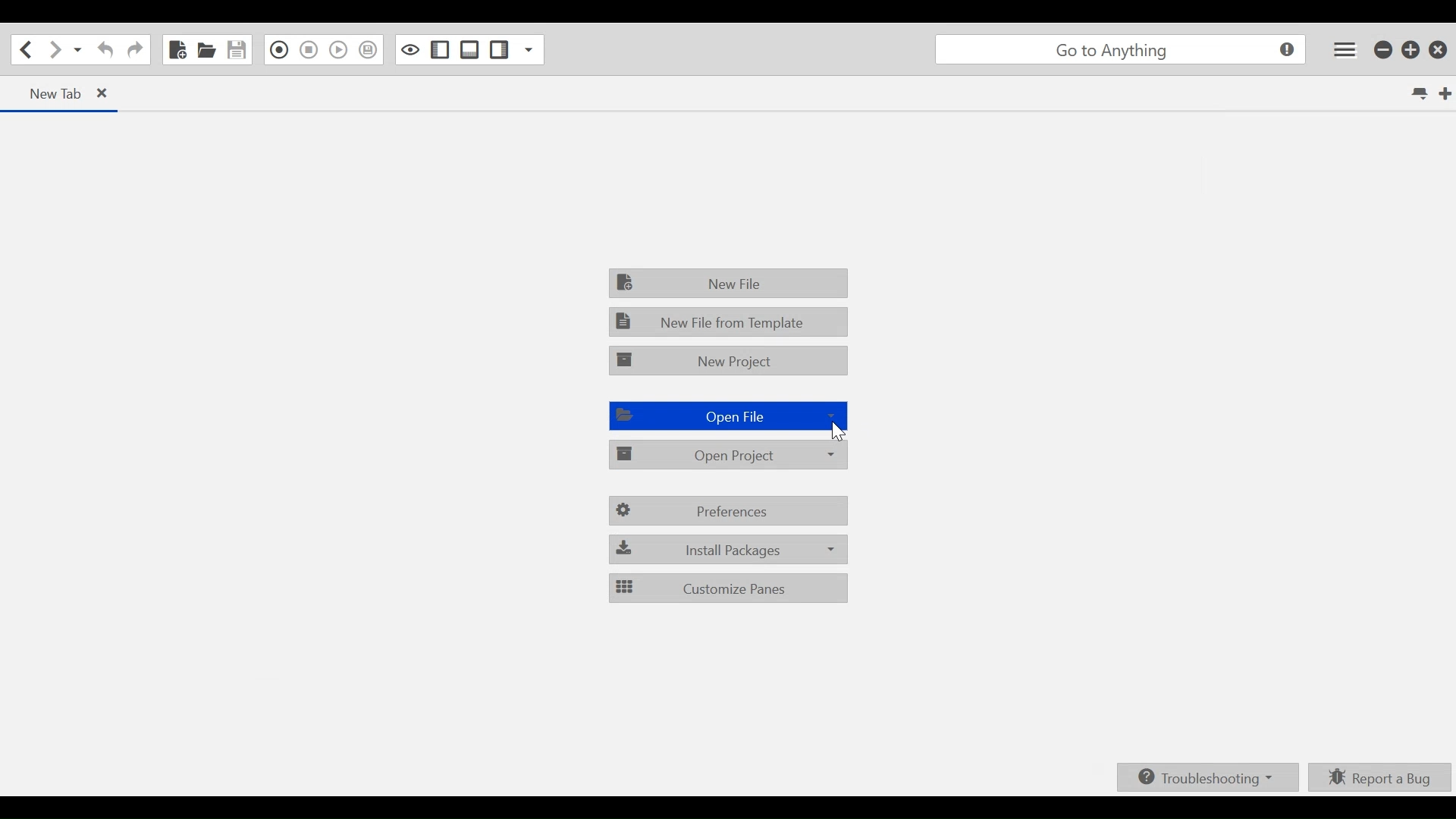 This screenshot has height=819, width=1456. I want to click on Recording Macro, so click(279, 50).